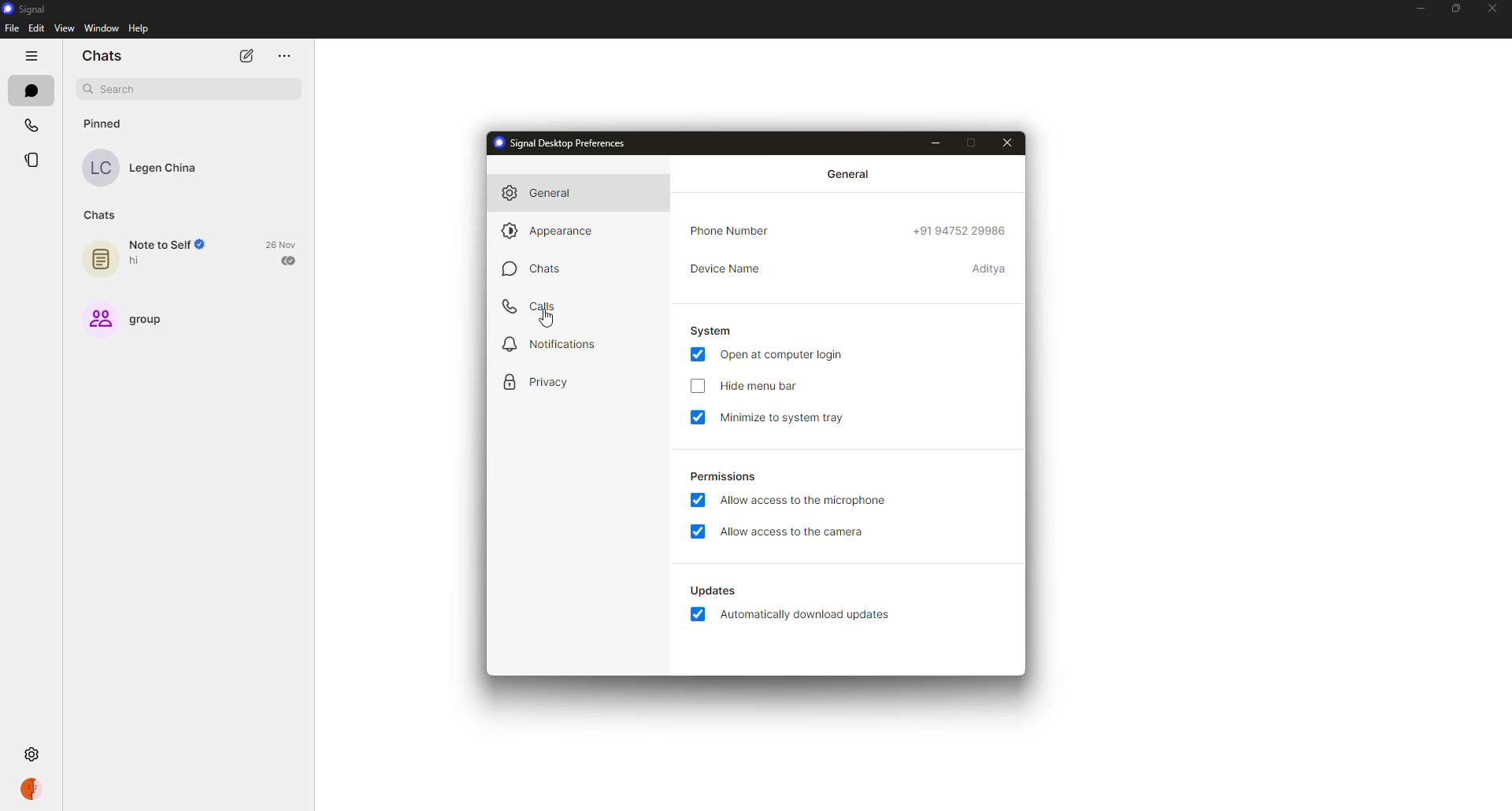 This screenshot has width=1512, height=811. I want to click on hide tabs, so click(29, 55).